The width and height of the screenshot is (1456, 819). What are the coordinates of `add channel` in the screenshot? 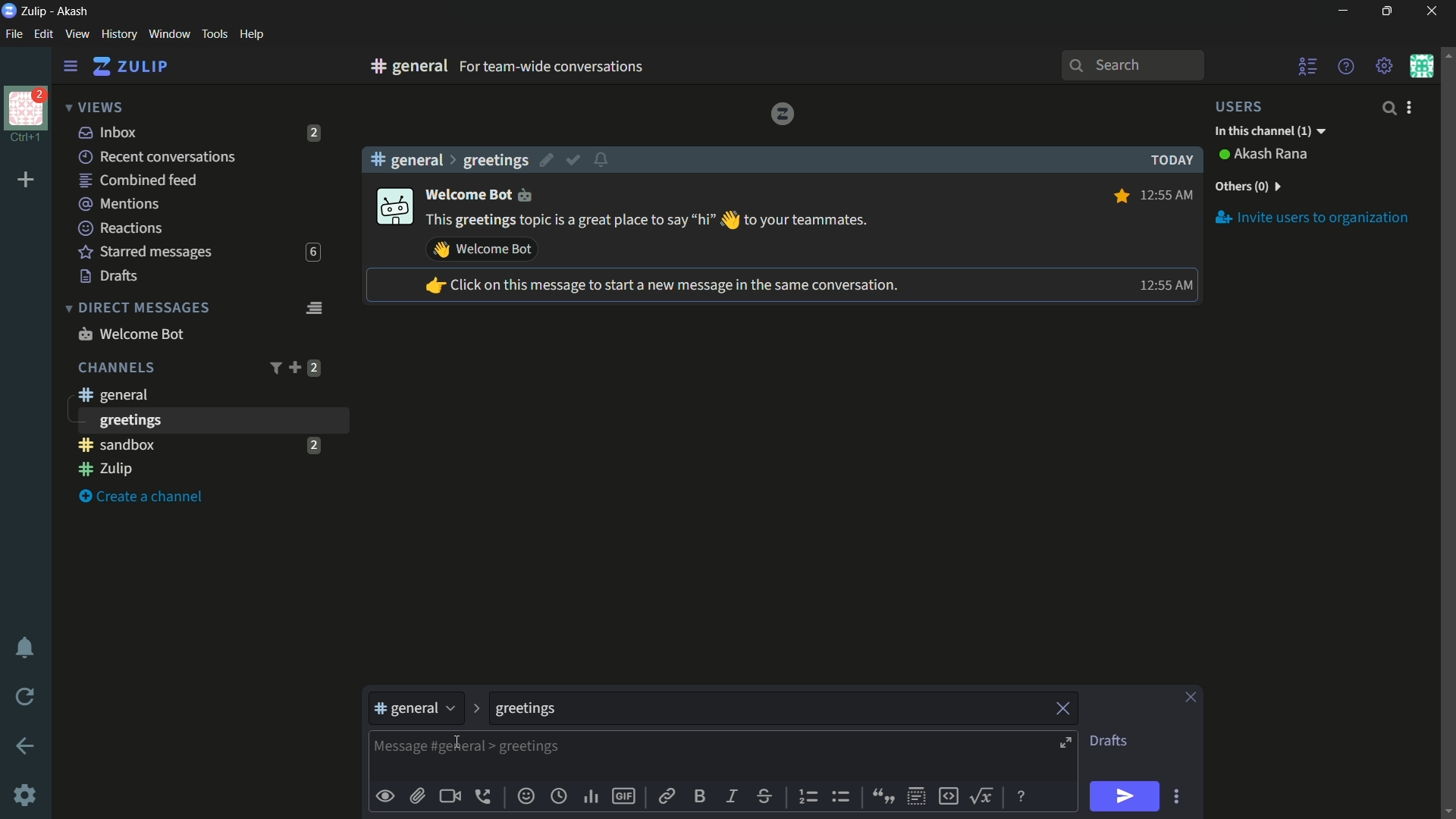 It's located at (294, 367).